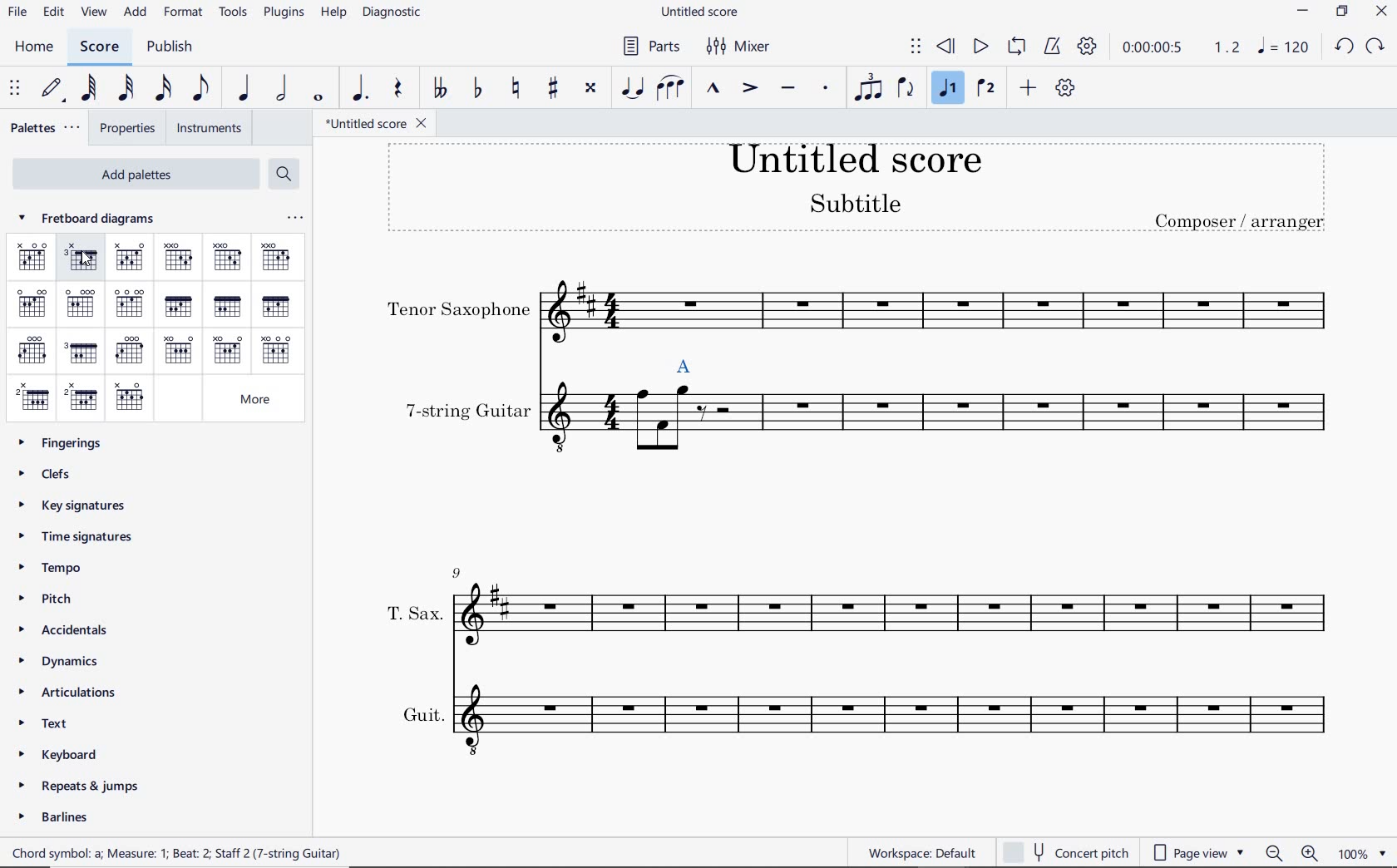 The height and width of the screenshot is (868, 1397). What do you see at coordinates (1382, 12) in the screenshot?
I see `CLOSE` at bounding box center [1382, 12].